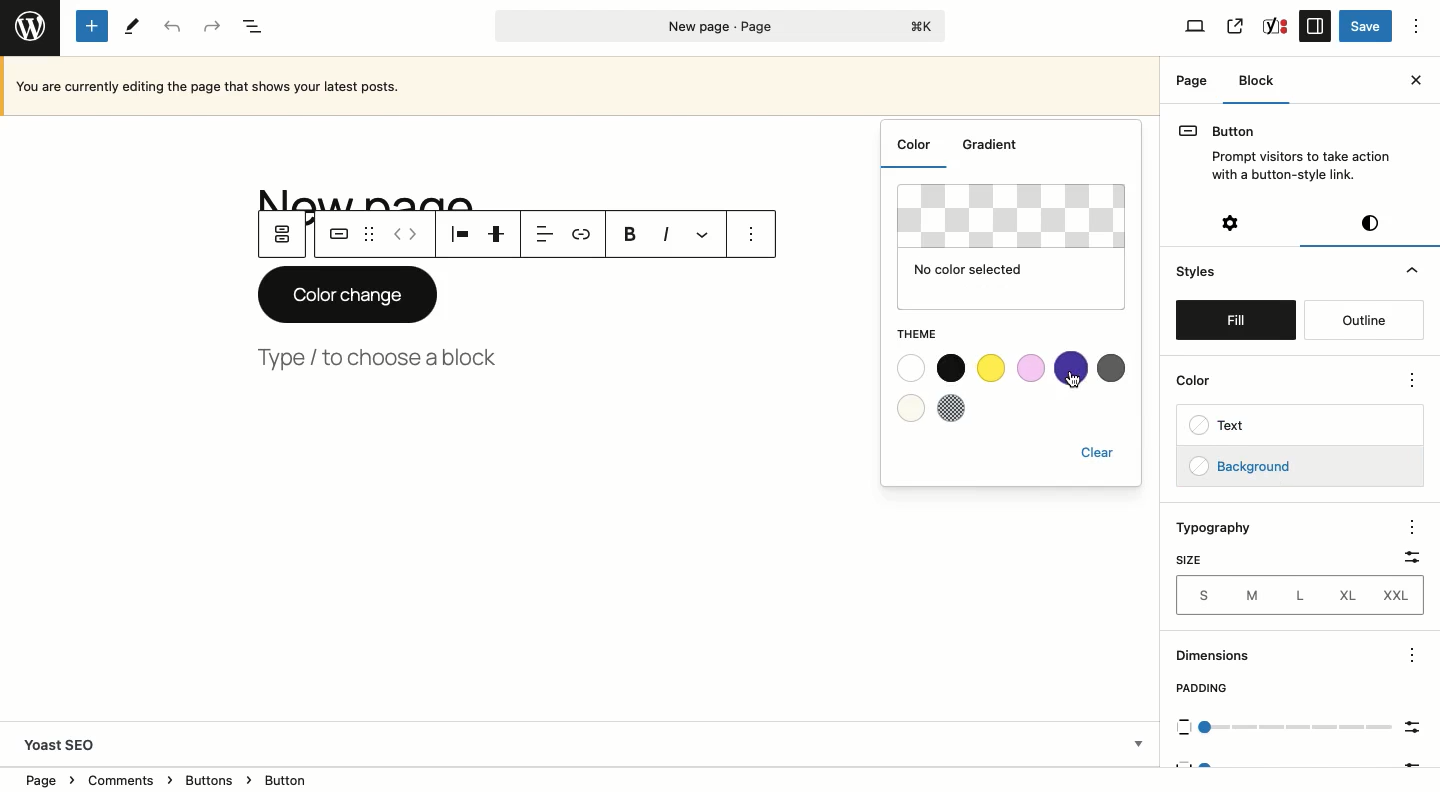  I want to click on More, so click(701, 234).